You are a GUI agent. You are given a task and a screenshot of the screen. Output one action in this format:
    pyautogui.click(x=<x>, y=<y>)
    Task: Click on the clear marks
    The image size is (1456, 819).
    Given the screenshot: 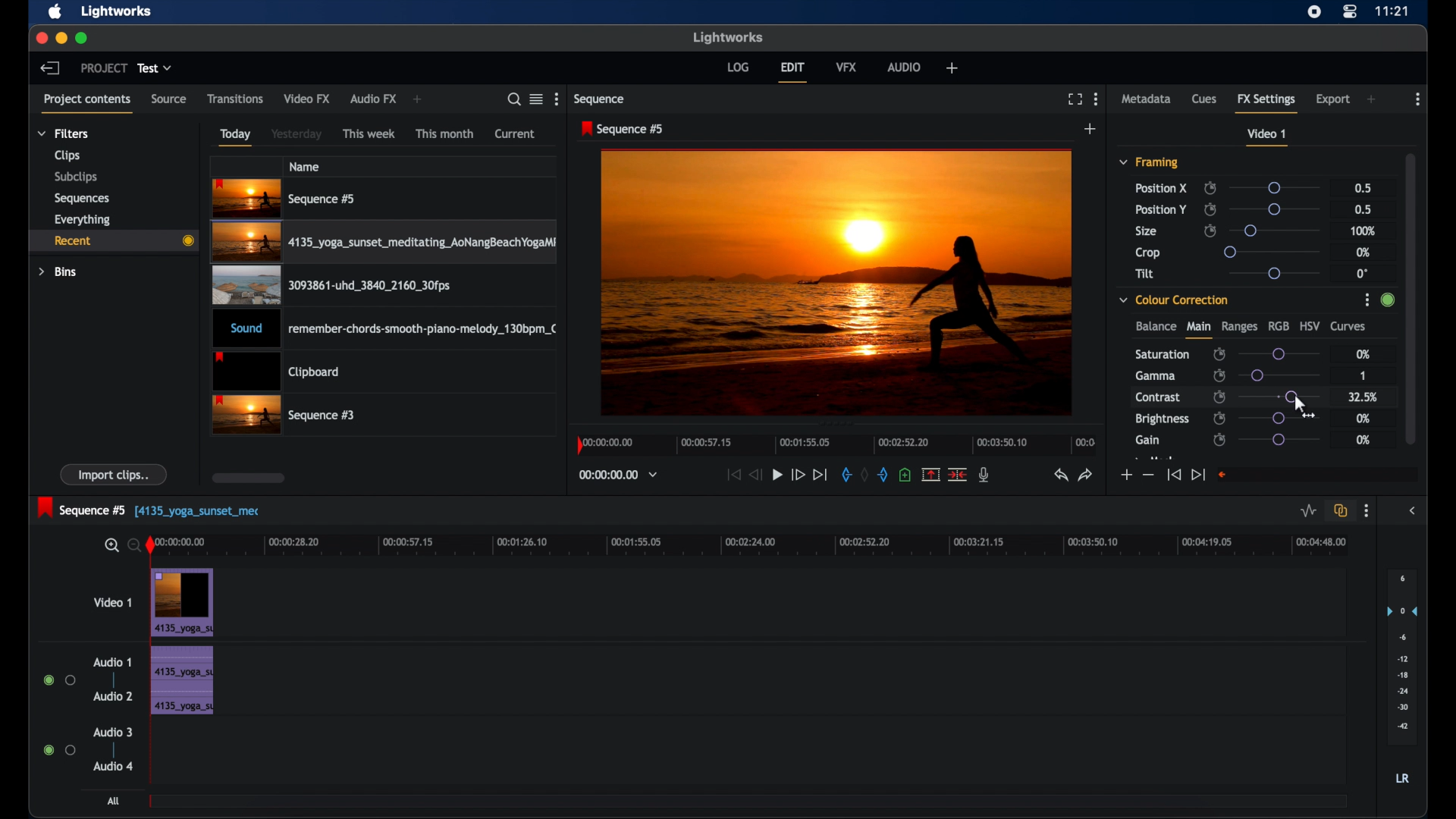 What is the action you would take?
    pyautogui.click(x=864, y=475)
    